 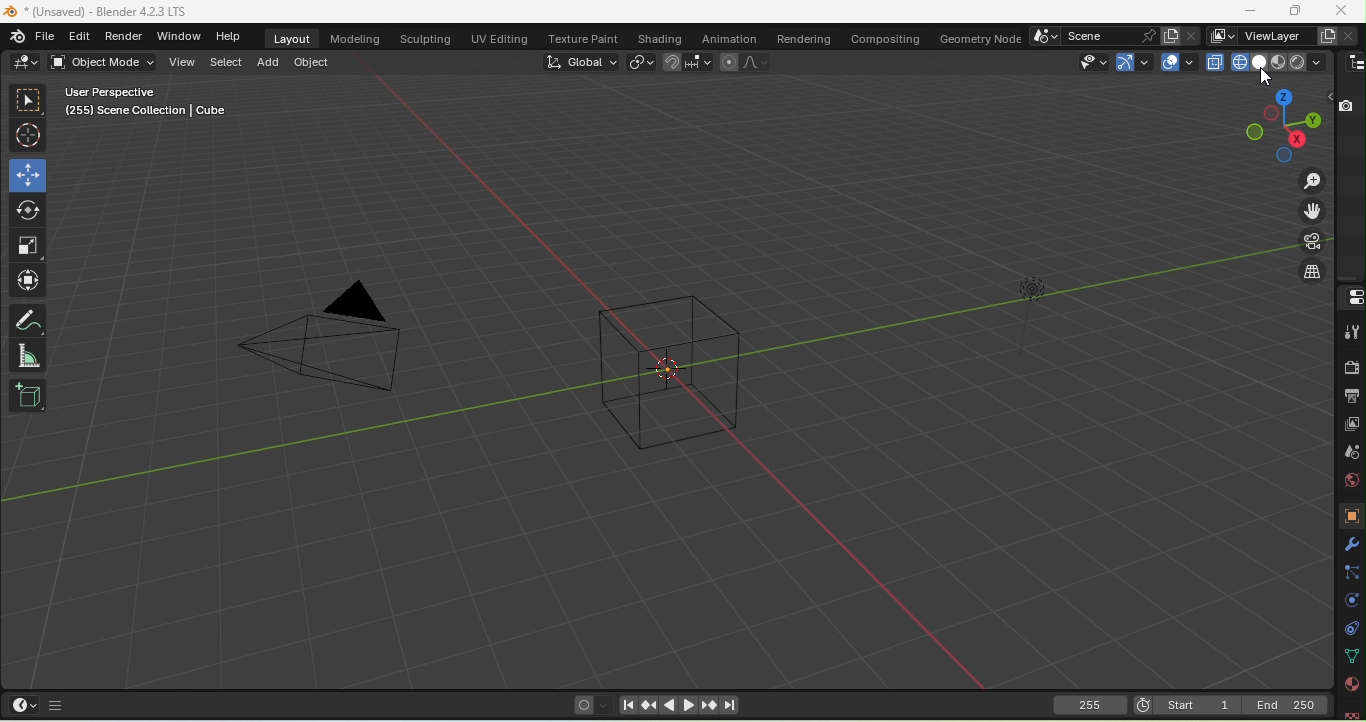 I want to click on Render, so click(x=121, y=36).